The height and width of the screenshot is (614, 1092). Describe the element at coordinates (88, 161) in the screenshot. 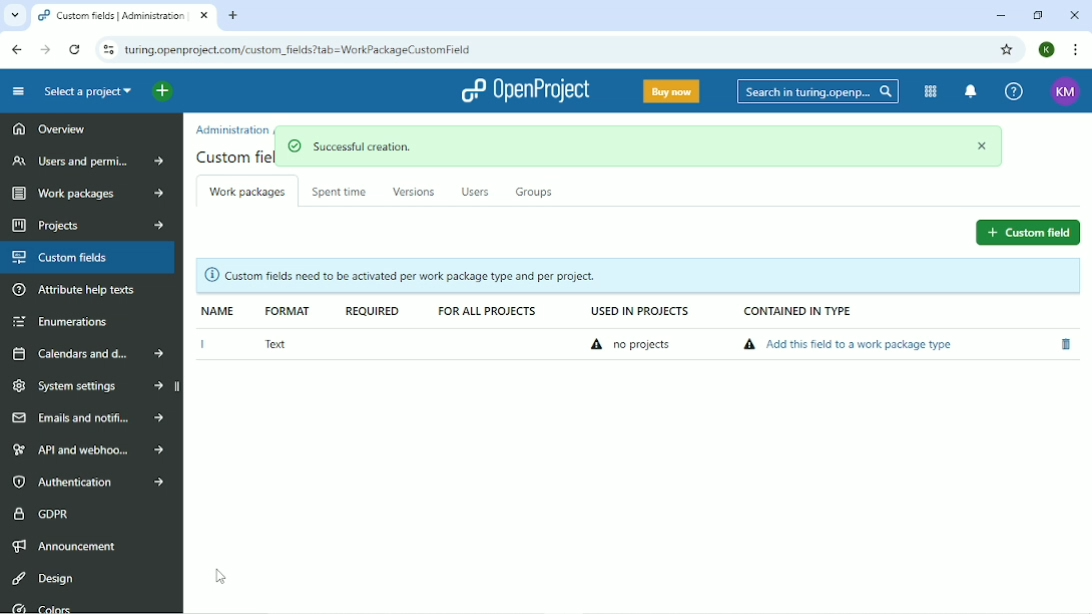

I see `Users and permissions` at that location.